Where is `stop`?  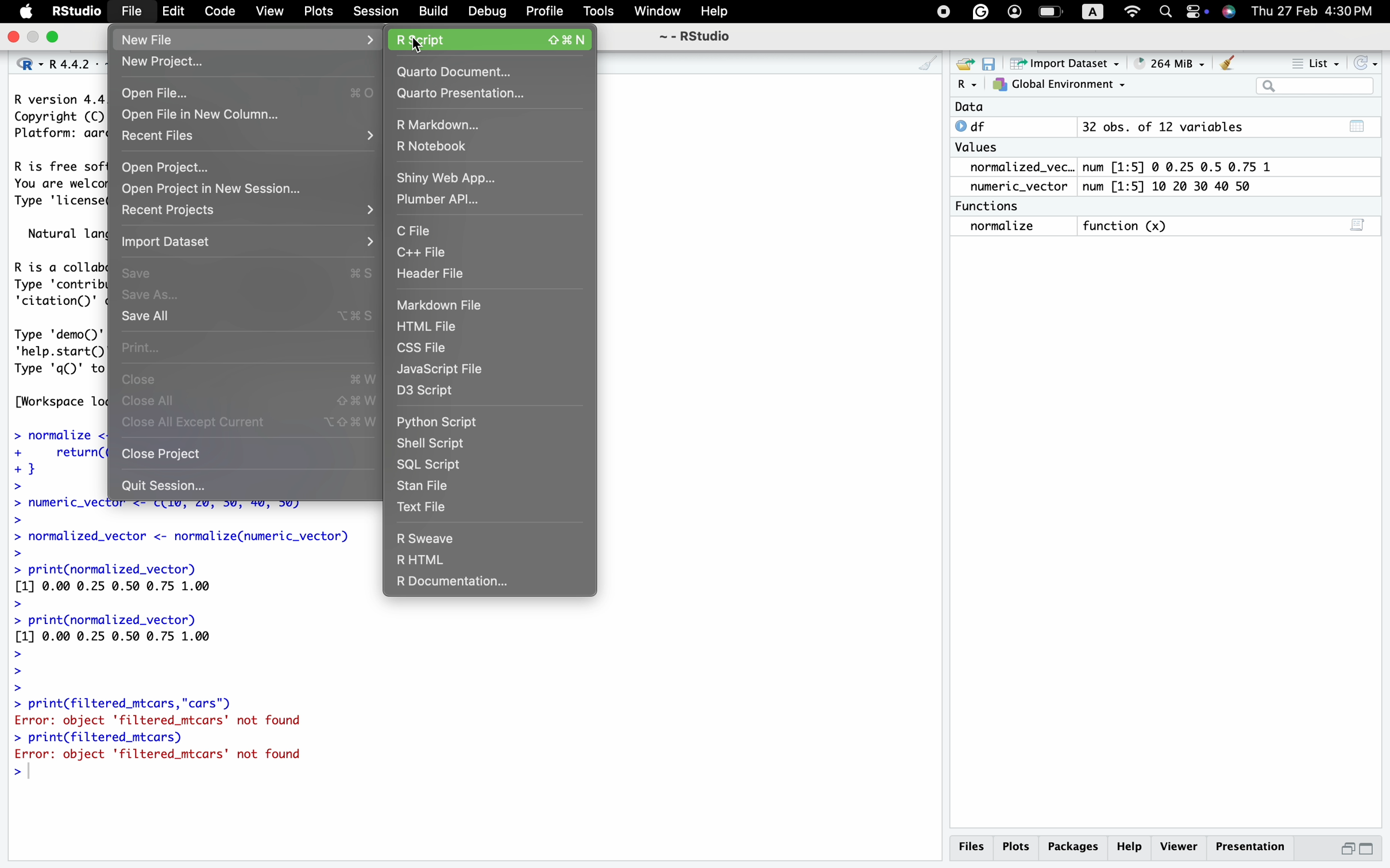
stop is located at coordinates (941, 12).